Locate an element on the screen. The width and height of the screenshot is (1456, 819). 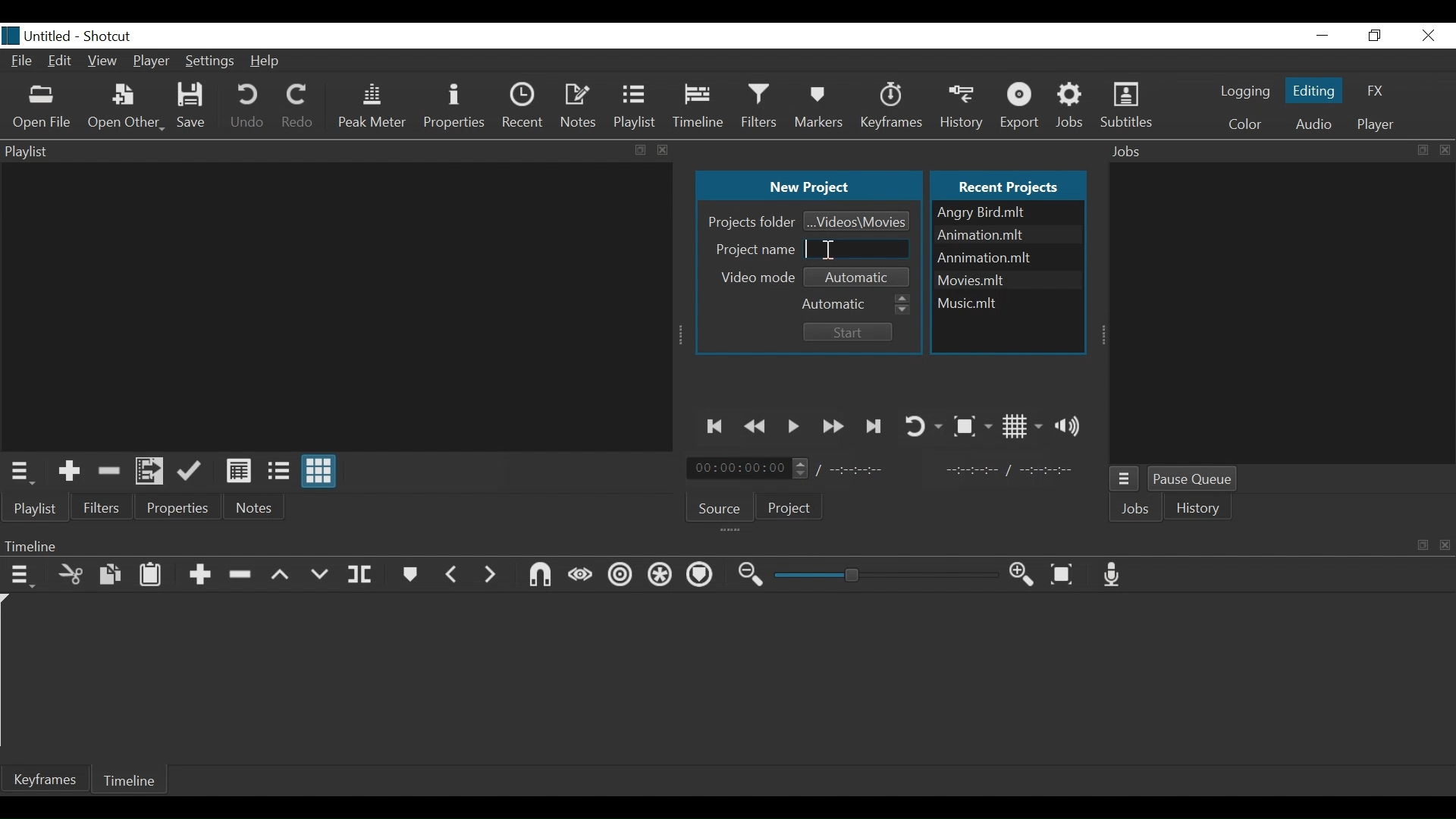
File name is located at coordinates (1008, 258).